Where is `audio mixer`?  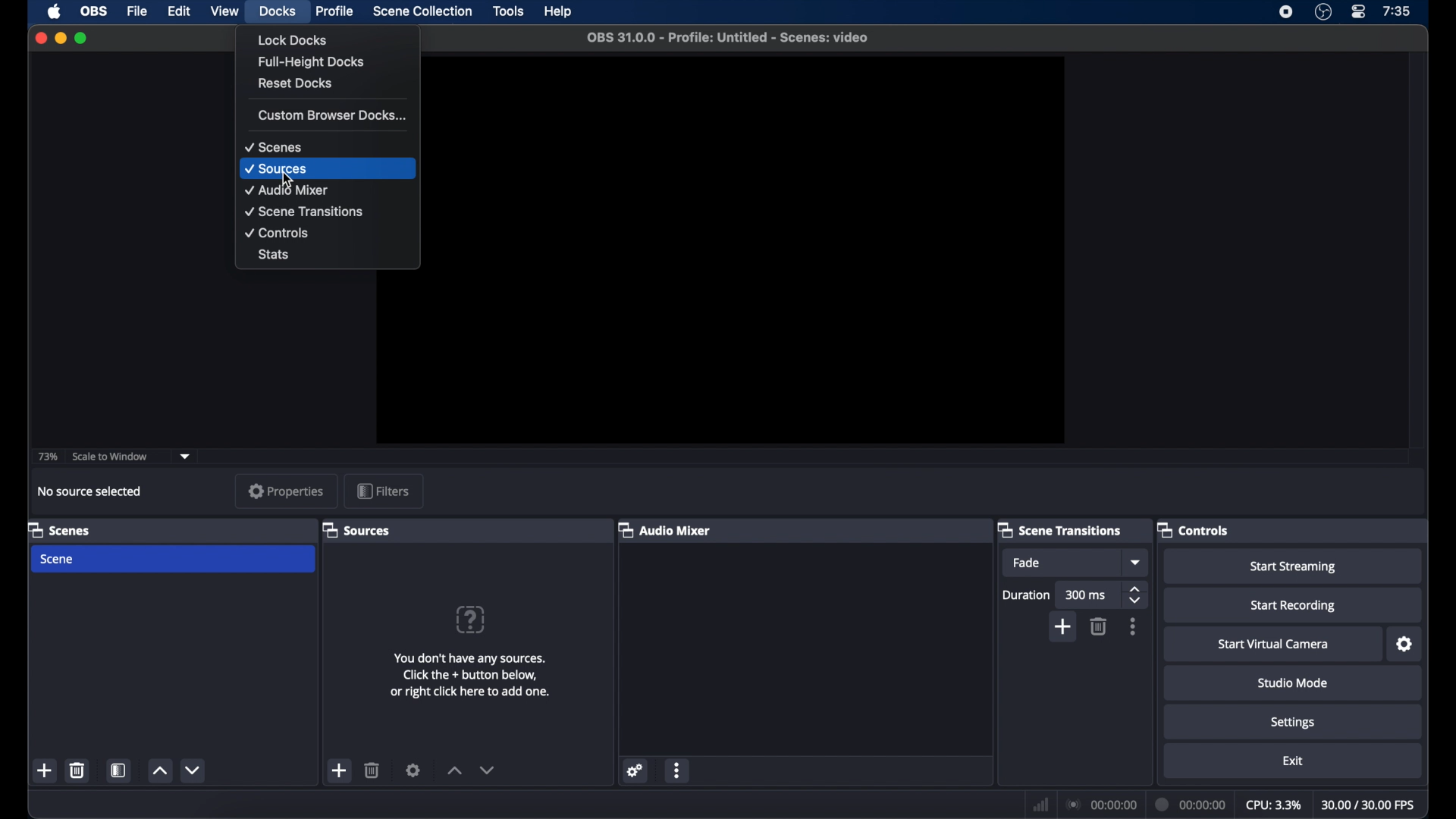 audio mixer is located at coordinates (664, 529).